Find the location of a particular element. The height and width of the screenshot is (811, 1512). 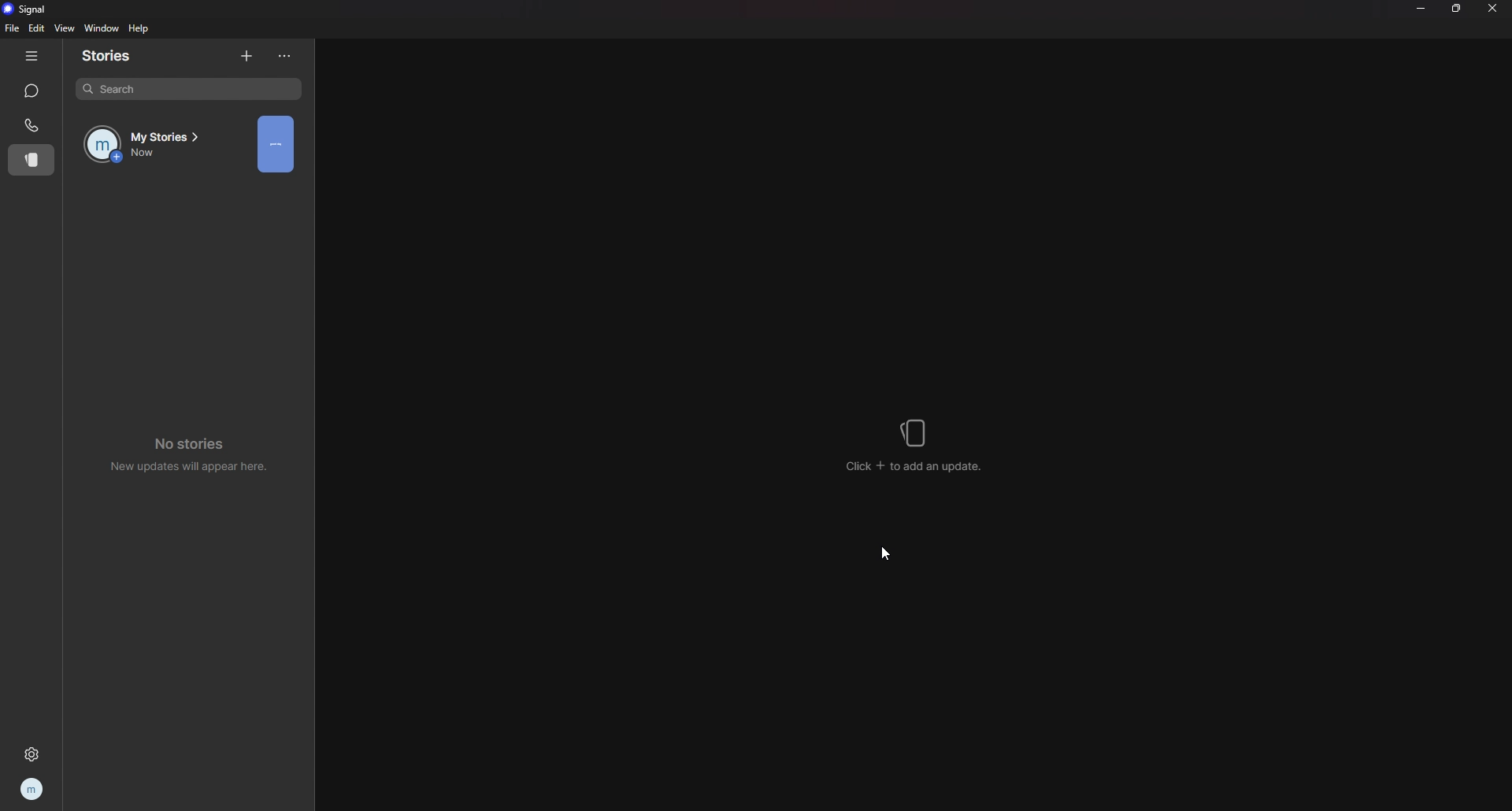

resize is located at coordinates (1458, 8).